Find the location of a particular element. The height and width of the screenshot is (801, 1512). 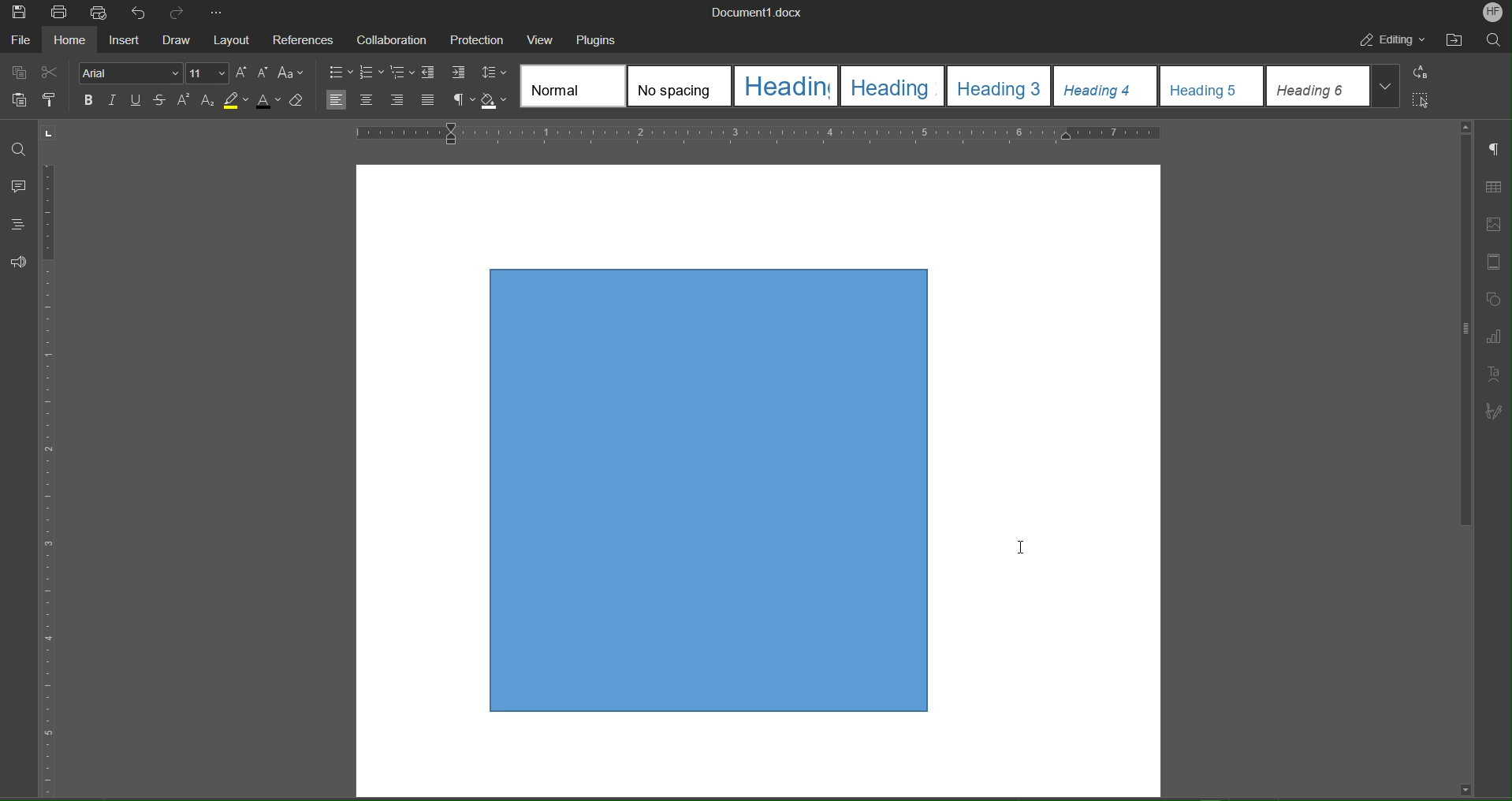

Headings is located at coordinates (20, 225).